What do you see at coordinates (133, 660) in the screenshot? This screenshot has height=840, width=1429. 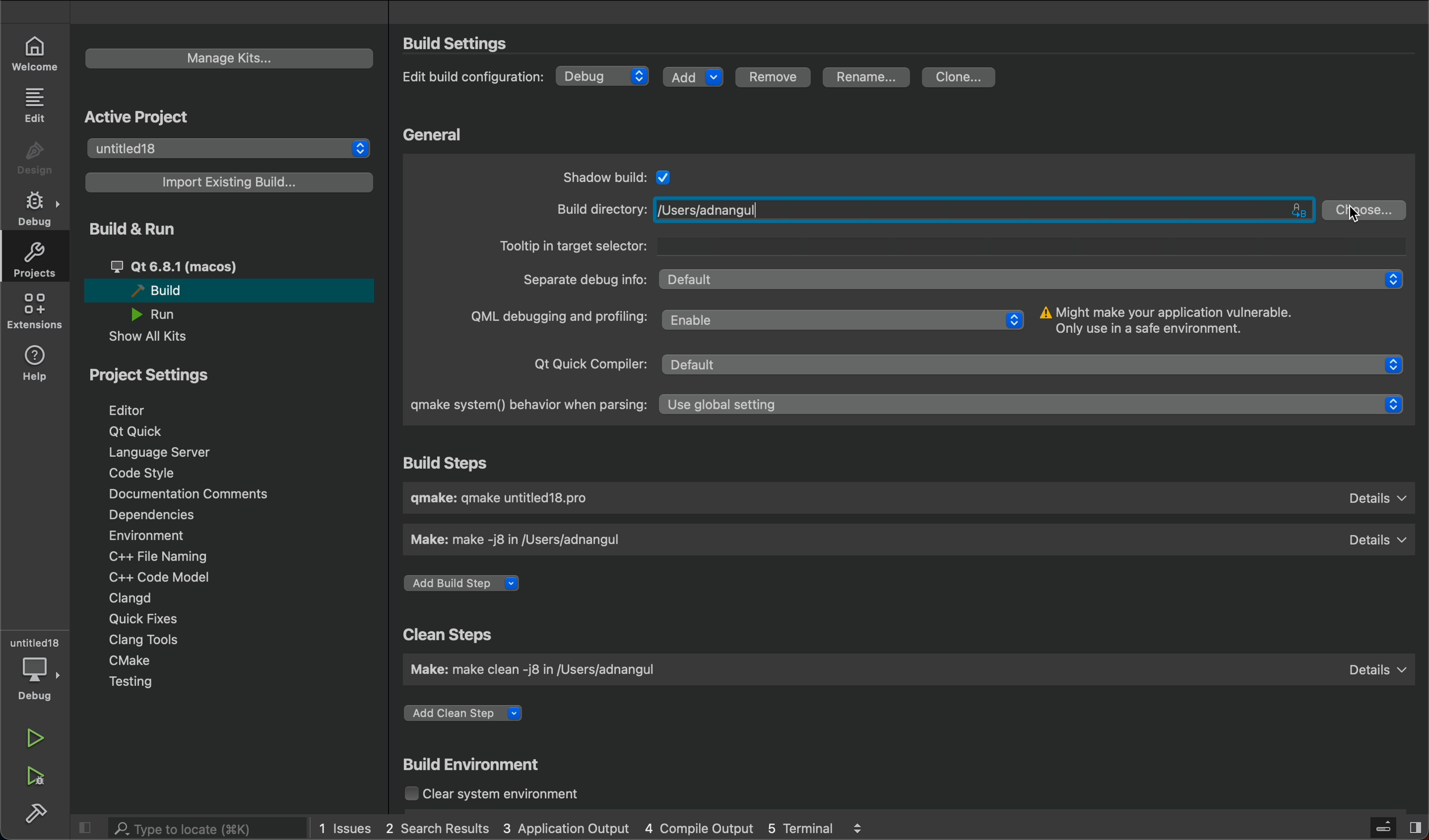 I see `cmake` at bounding box center [133, 660].